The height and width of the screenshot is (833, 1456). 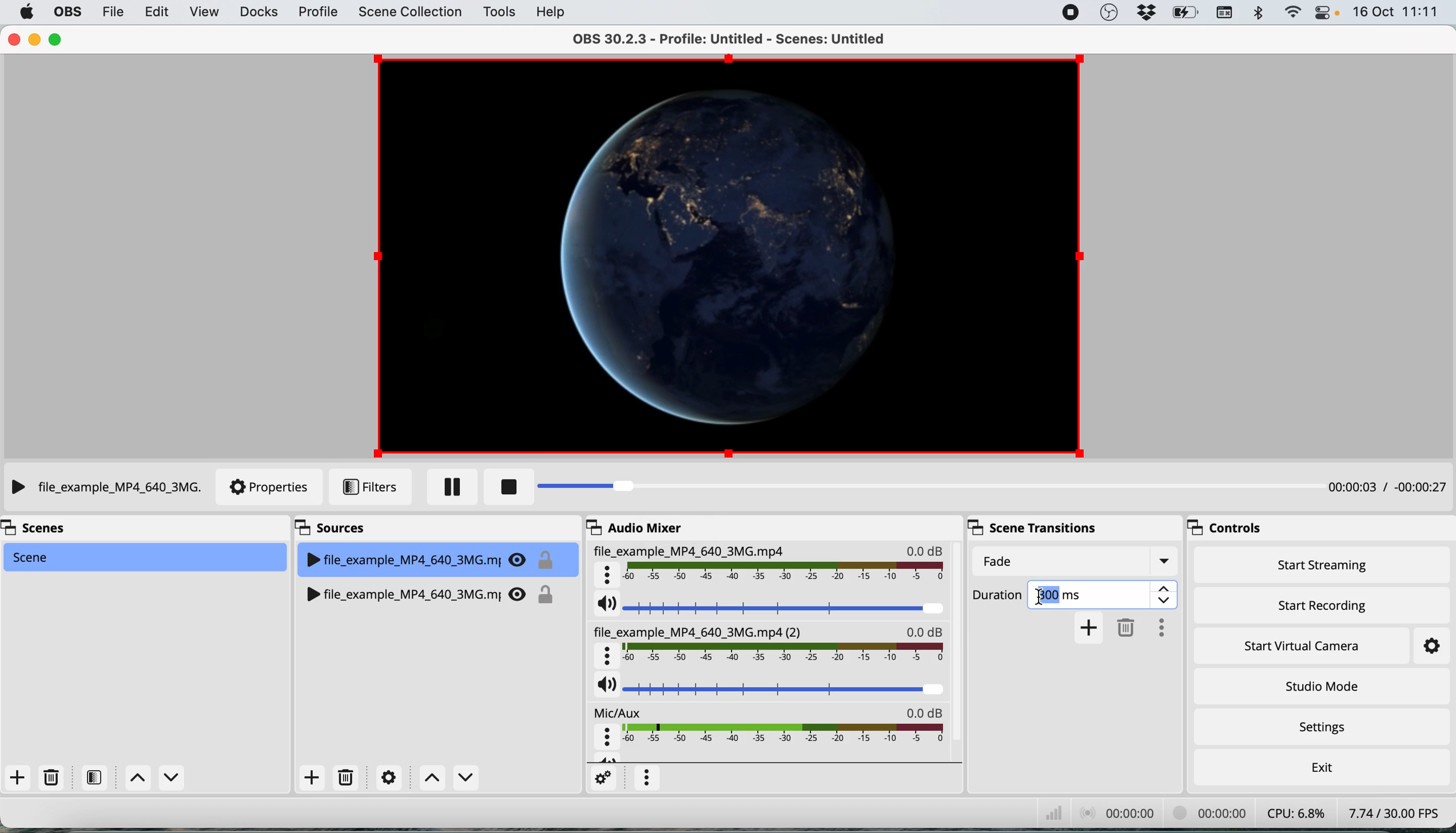 I want to click on wifi, so click(x=1295, y=13).